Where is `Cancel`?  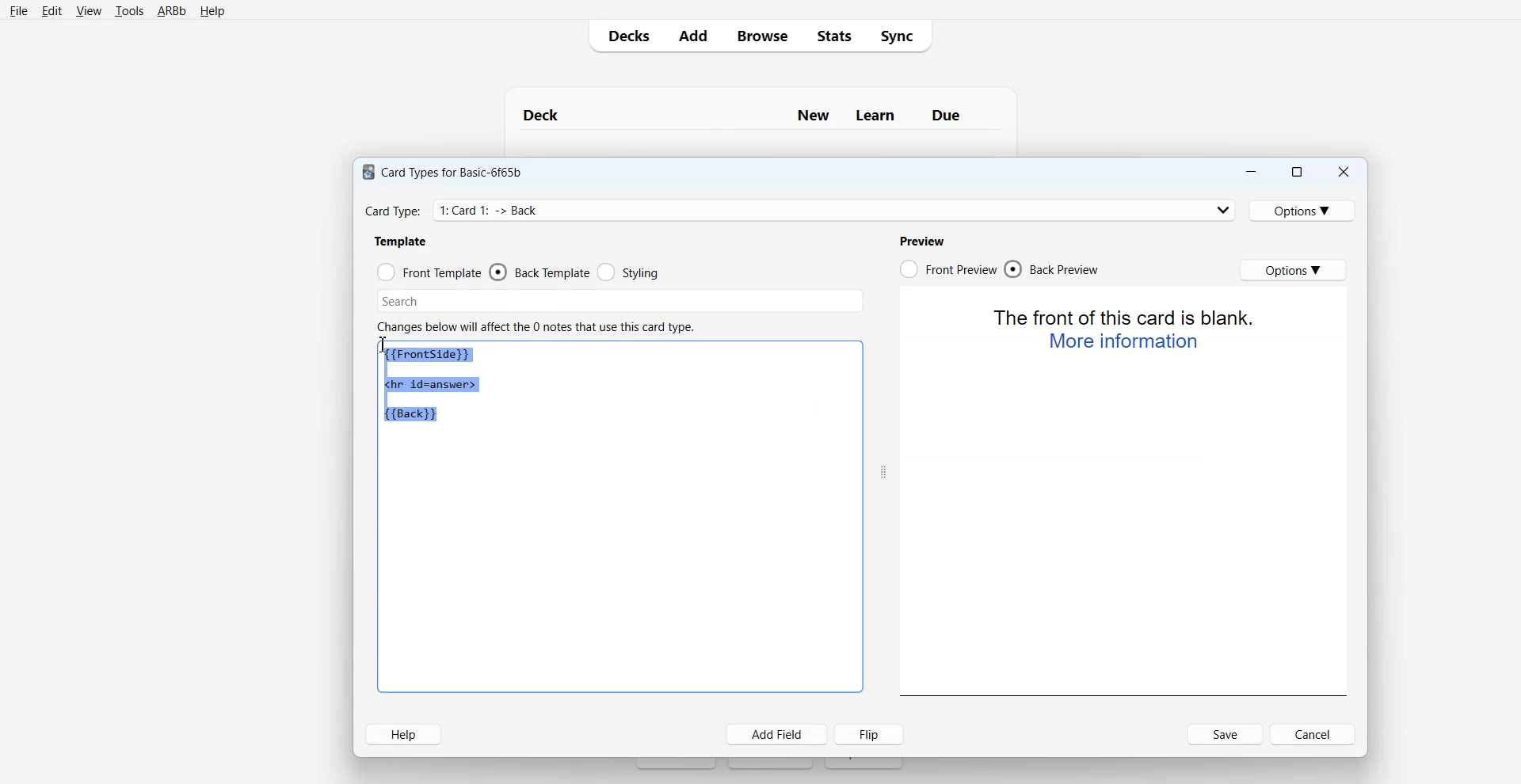 Cancel is located at coordinates (1313, 734).